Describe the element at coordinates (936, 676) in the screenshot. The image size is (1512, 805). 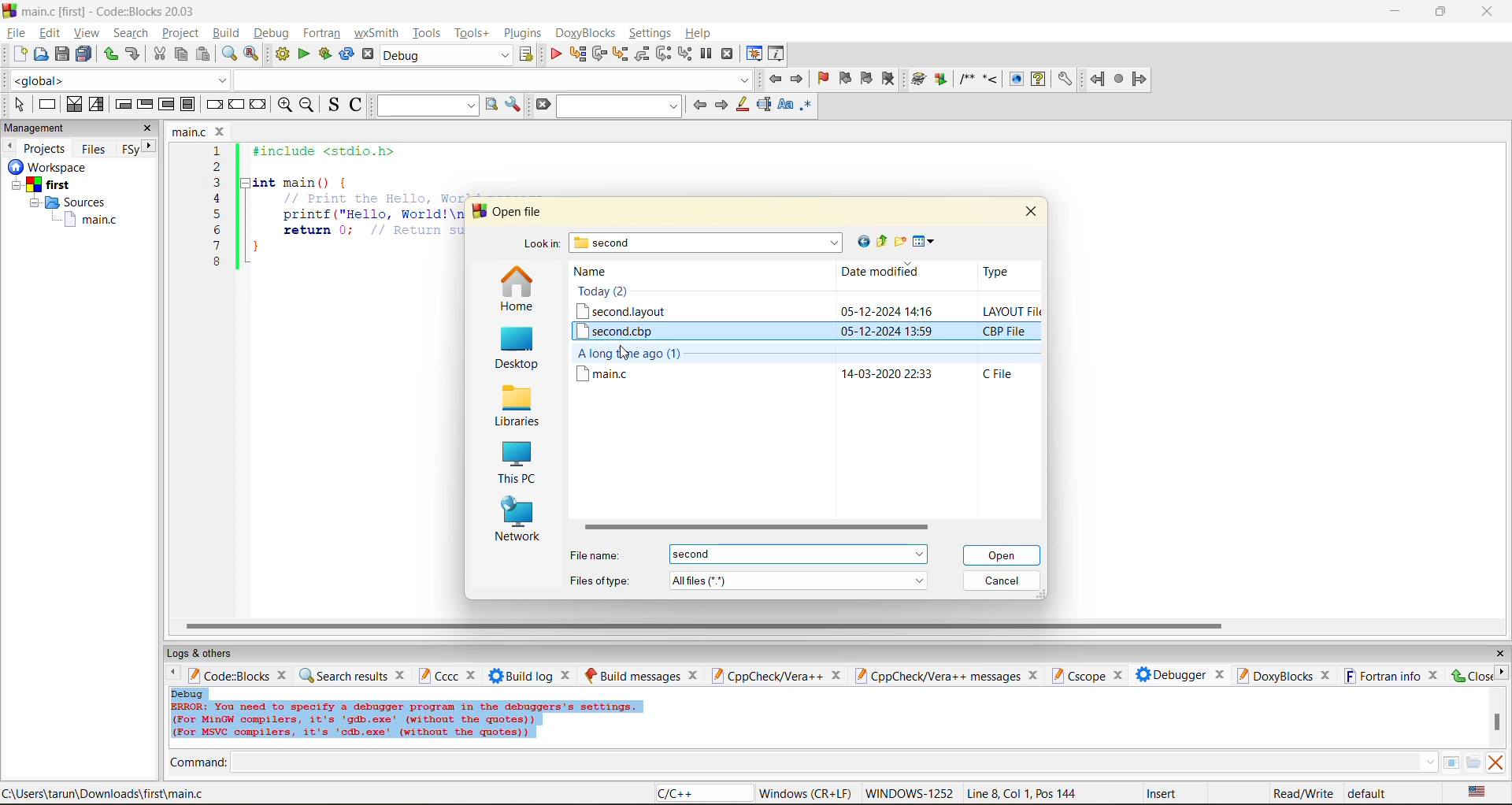
I see `cppcheck/vera++ messages` at that location.